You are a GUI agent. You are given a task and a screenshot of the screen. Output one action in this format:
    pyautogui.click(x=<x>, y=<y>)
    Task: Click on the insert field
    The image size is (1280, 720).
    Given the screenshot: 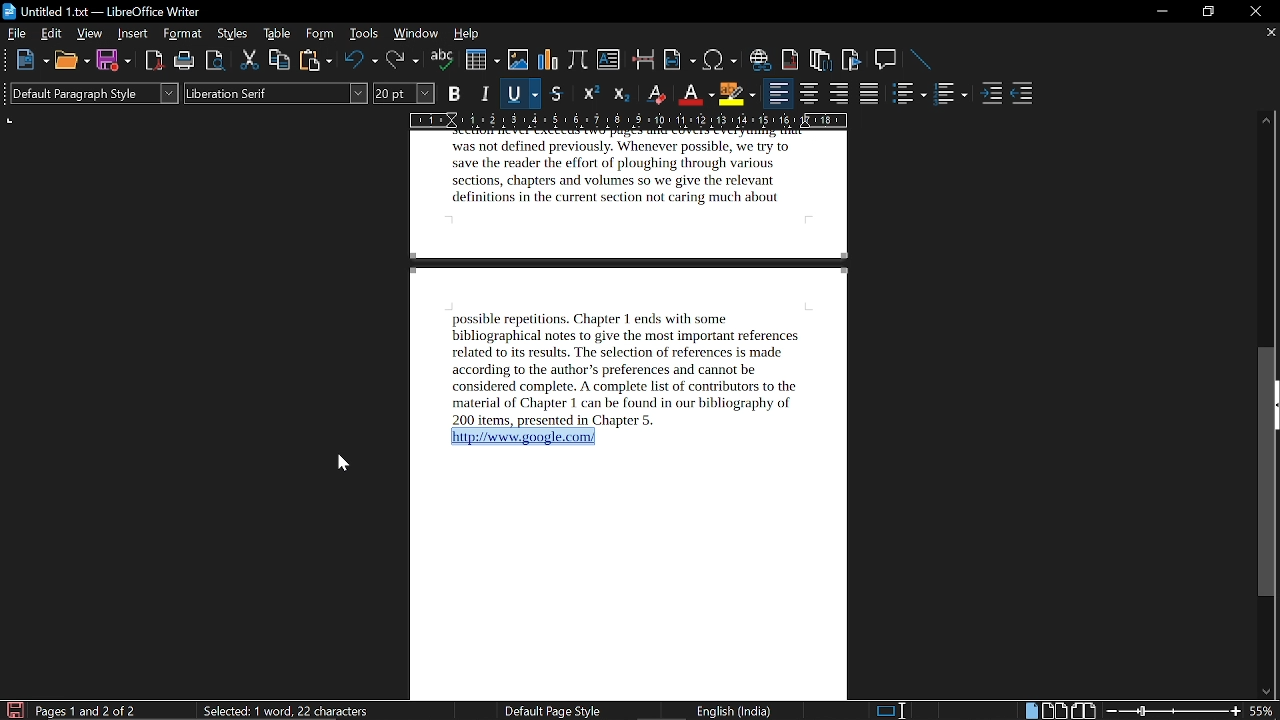 What is the action you would take?
    pyautogui.click(x=681, y=60)
    